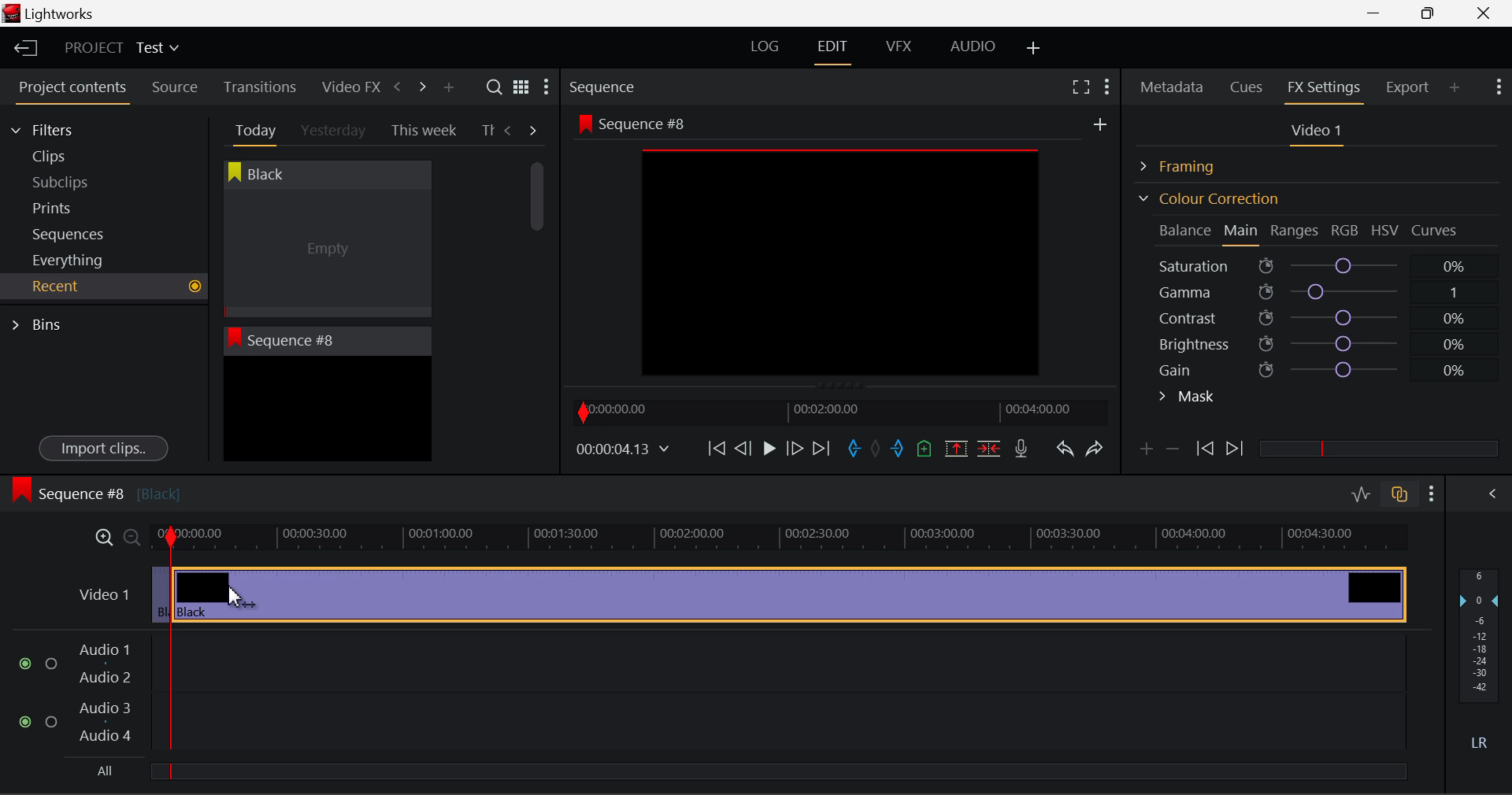 The width and height of the screenshot is (1512, 795). What do you see at coordinates (1318, 317) in the screenshot?
I see `Contrast` at bounding box center [1318, 317].